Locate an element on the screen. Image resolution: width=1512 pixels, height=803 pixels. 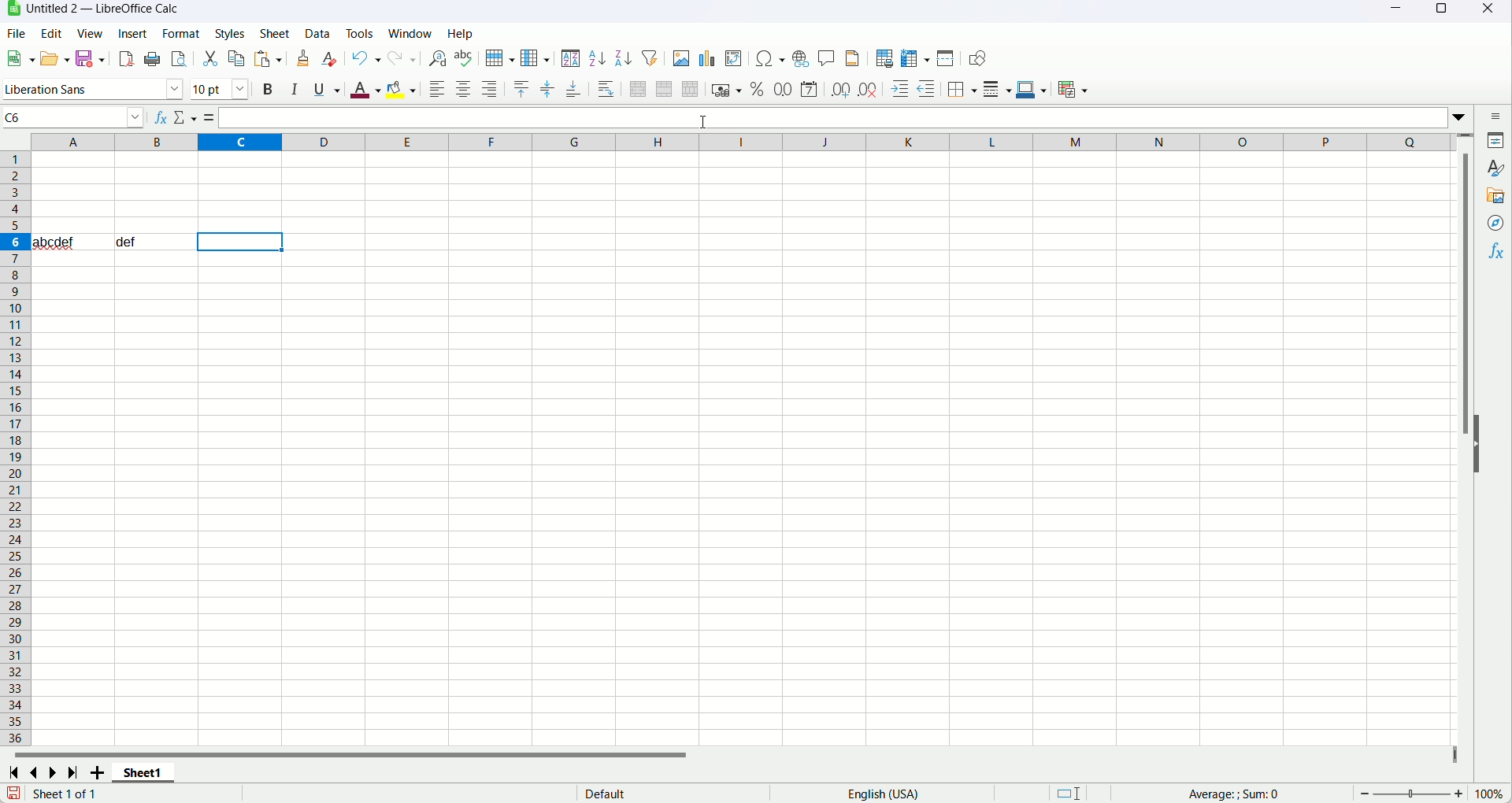
properties is located at coordinates (1496, 142).